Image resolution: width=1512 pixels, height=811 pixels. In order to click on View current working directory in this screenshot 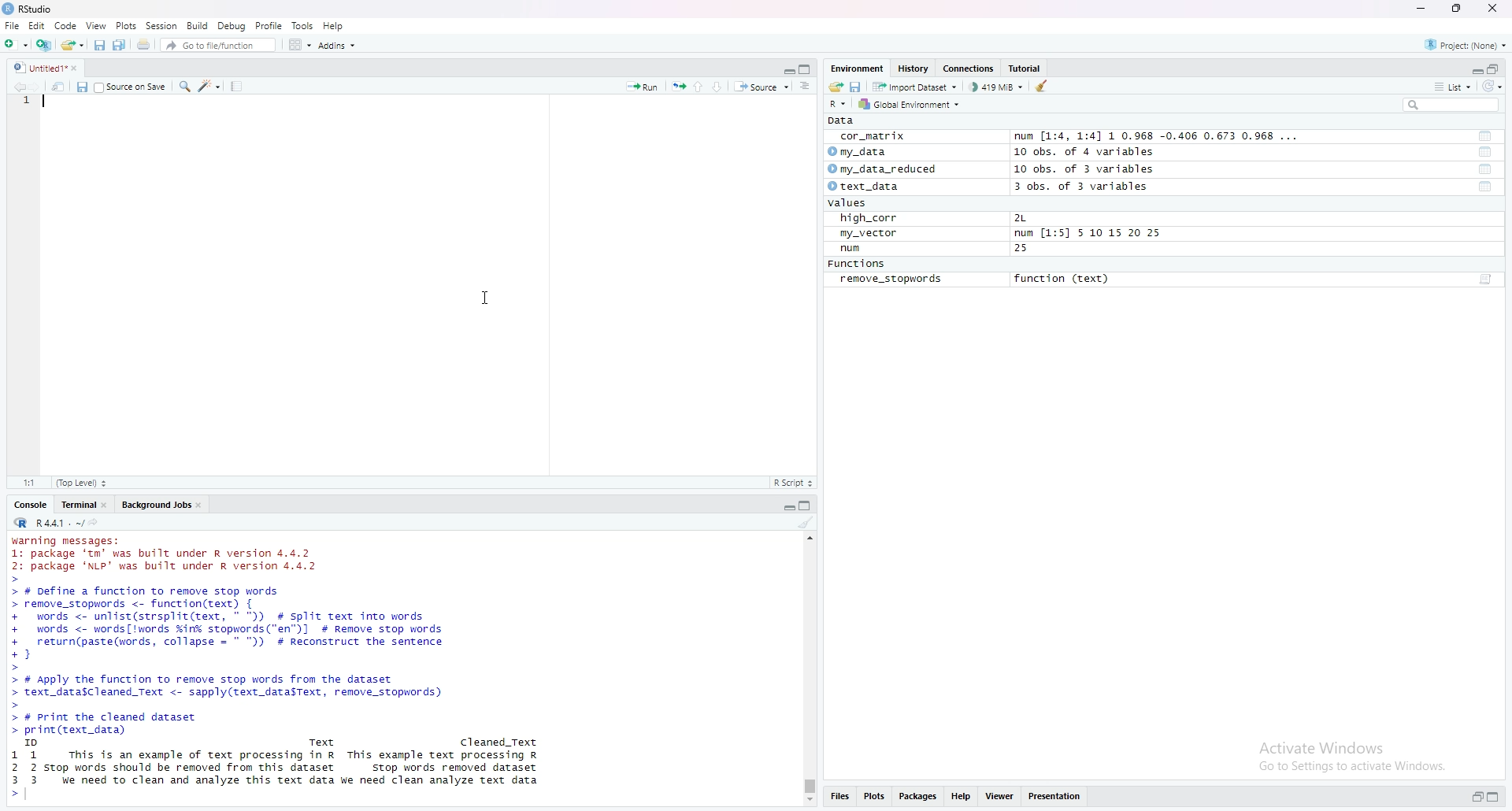, I will do `click(93, 520)`.